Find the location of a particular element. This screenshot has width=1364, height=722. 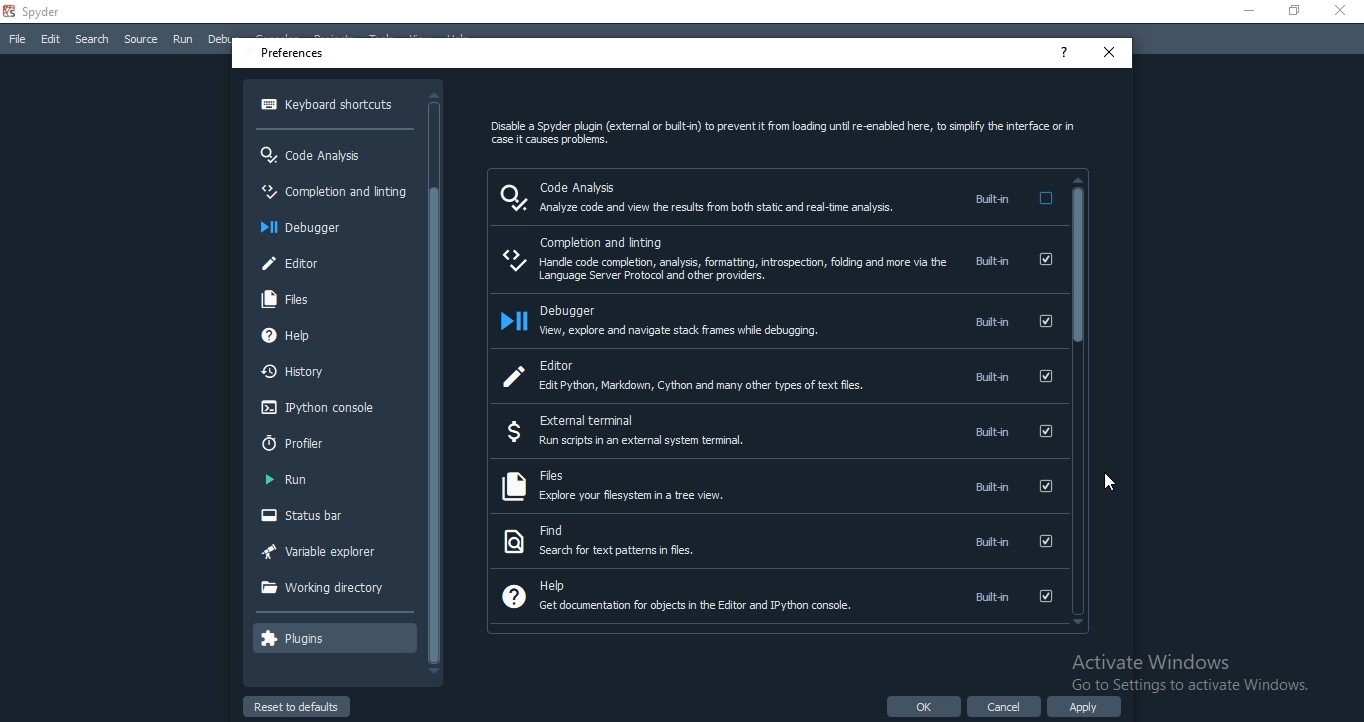

preferences is located at coordinates (293, 54).